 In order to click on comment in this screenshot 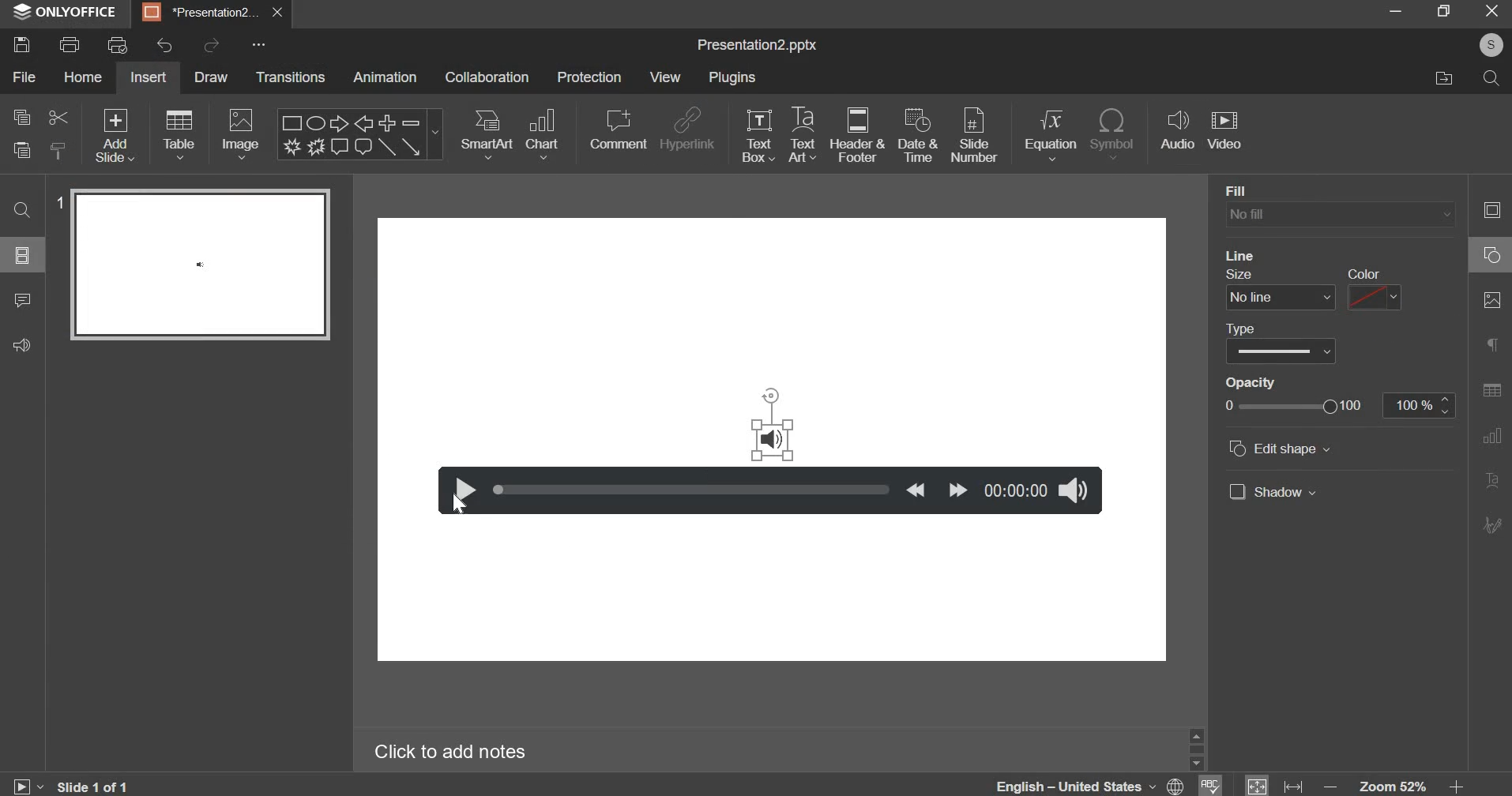, I will do `click(619, 125)`.